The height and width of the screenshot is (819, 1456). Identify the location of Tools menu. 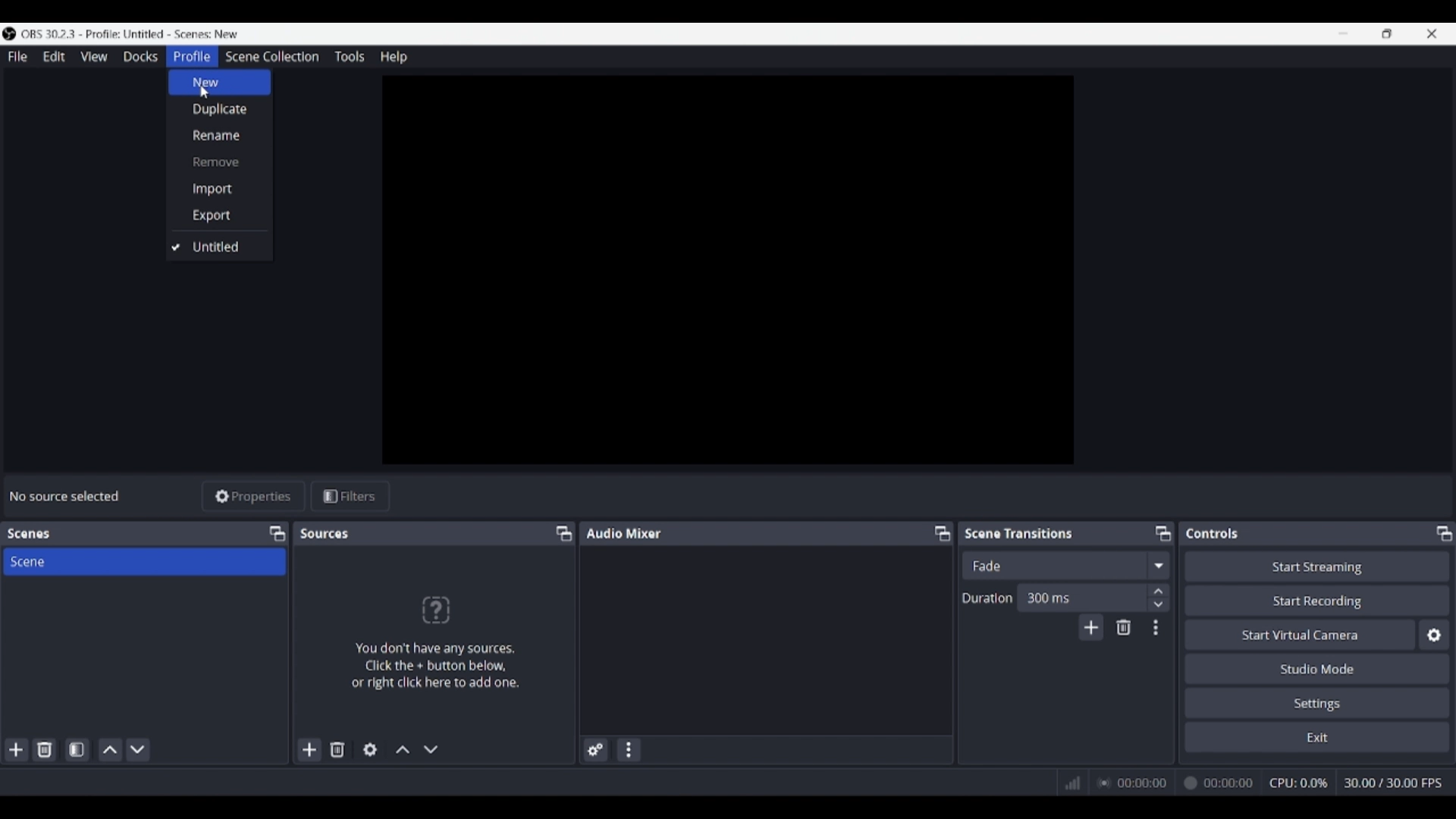
(349, 56).